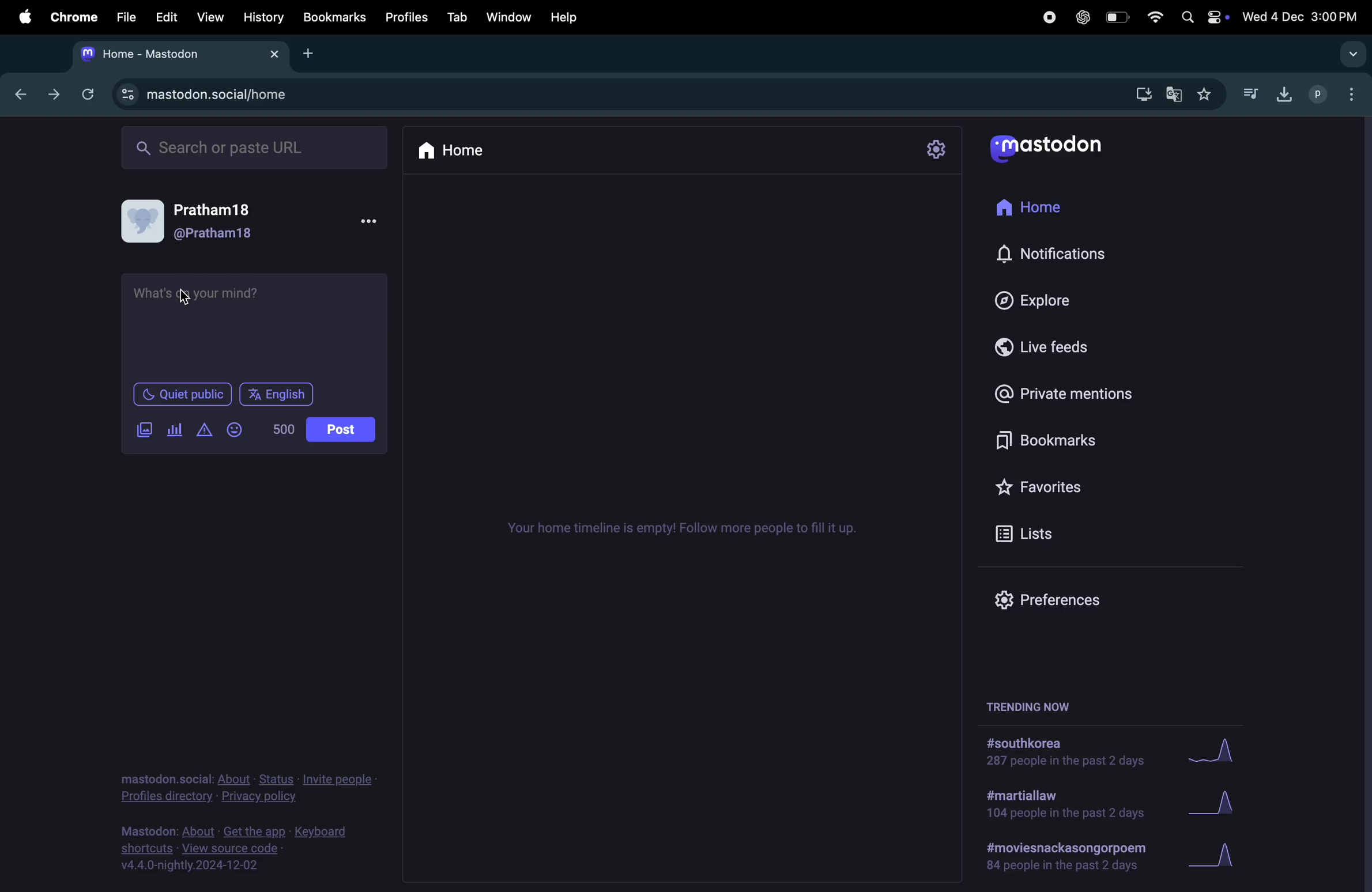  Describe the element at coordinates (685, 527) in the screenshot. I see `Timeline` at that location.